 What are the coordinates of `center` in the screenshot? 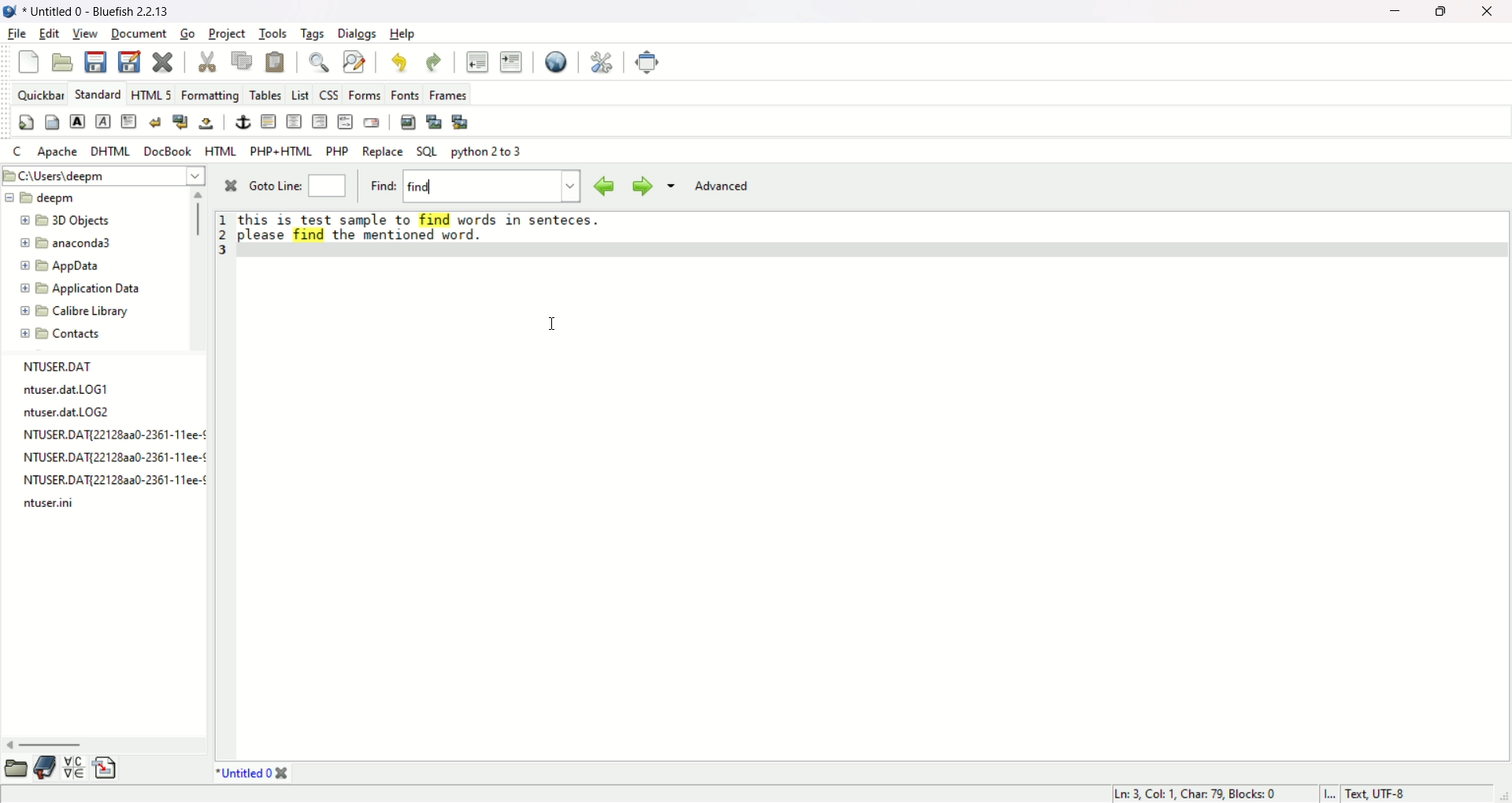 It's located at (294, 123).